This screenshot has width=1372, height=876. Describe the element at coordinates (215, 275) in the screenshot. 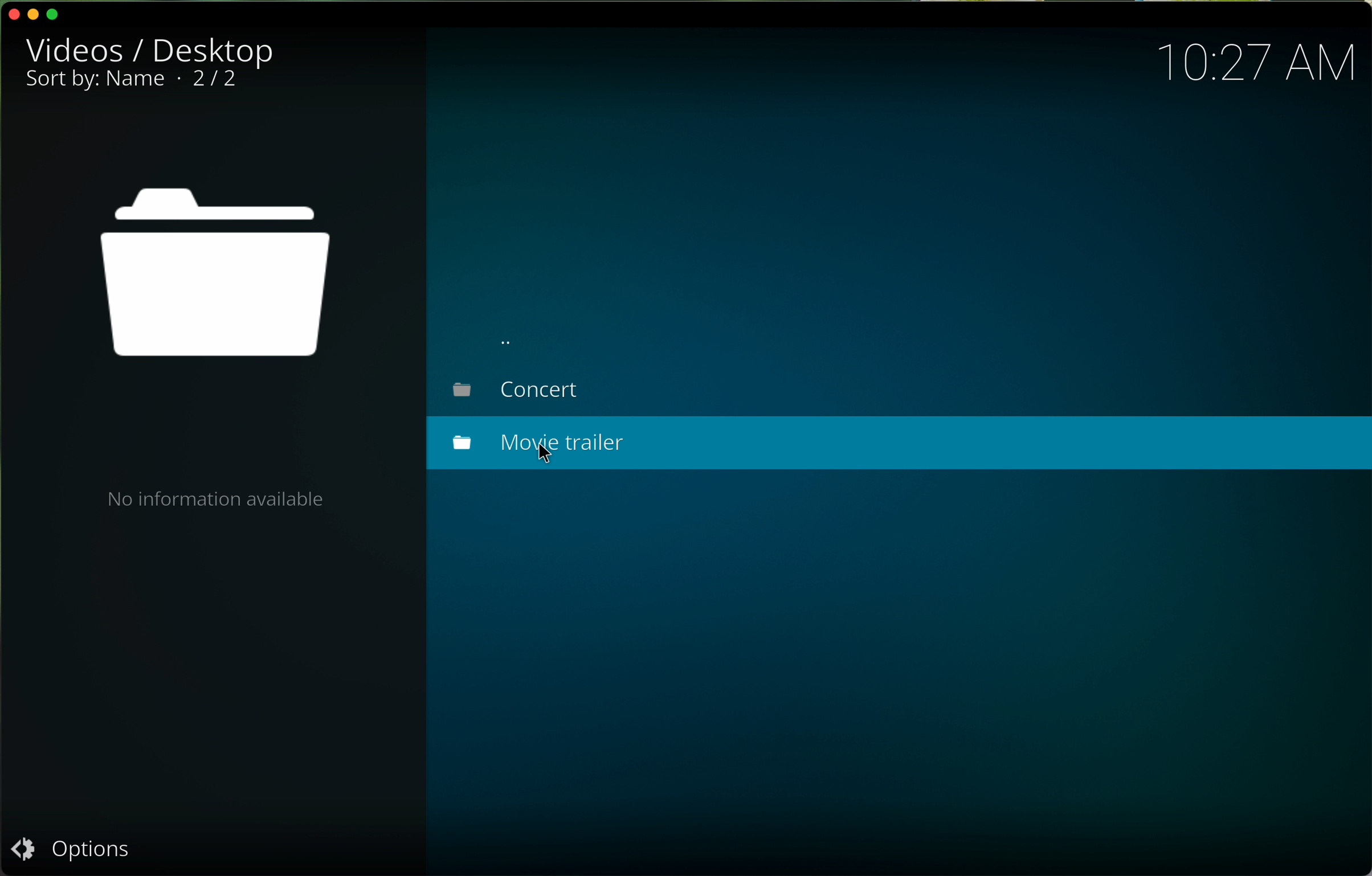

I see `file icon` at that location.